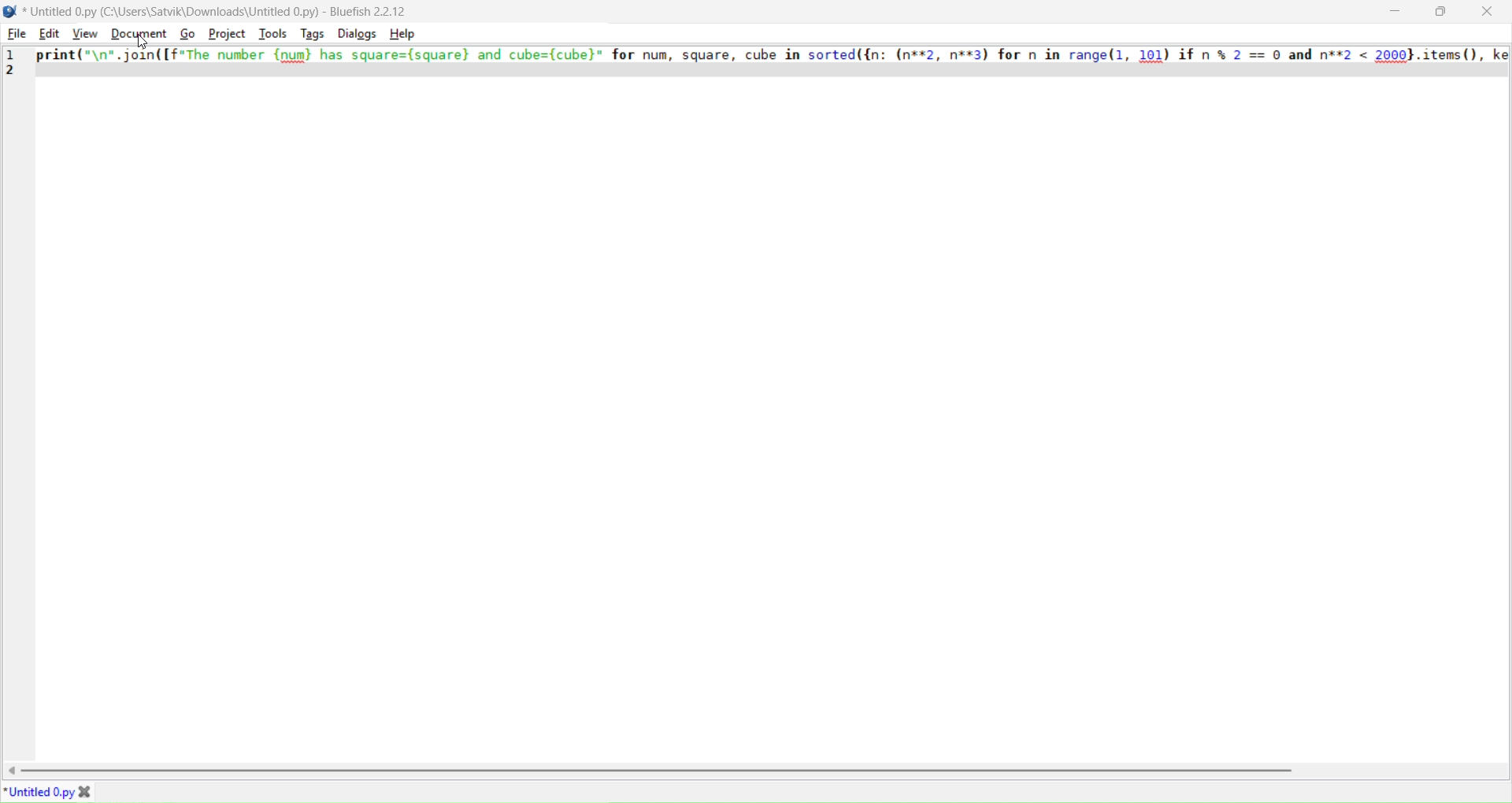 Image resolution: width=1512 pixels, height=803 pixels. Describe the element at coordinates (83, 33) in the screenshot. I see `view` at that location.